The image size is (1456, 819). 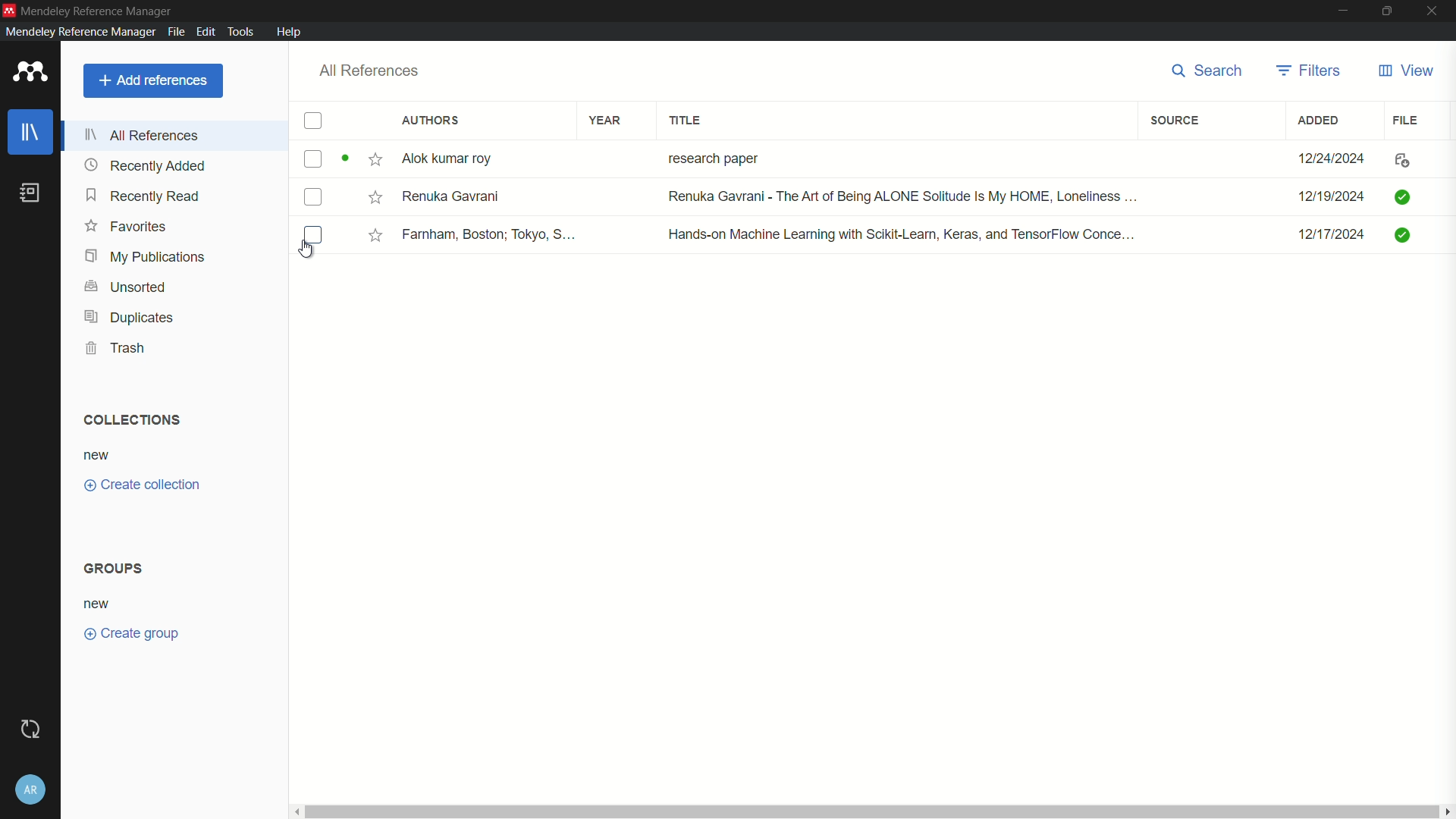 What do you see at coordinates (124, 227) in the screenshot?
I see `favorites` at bounding box center [124, 227].